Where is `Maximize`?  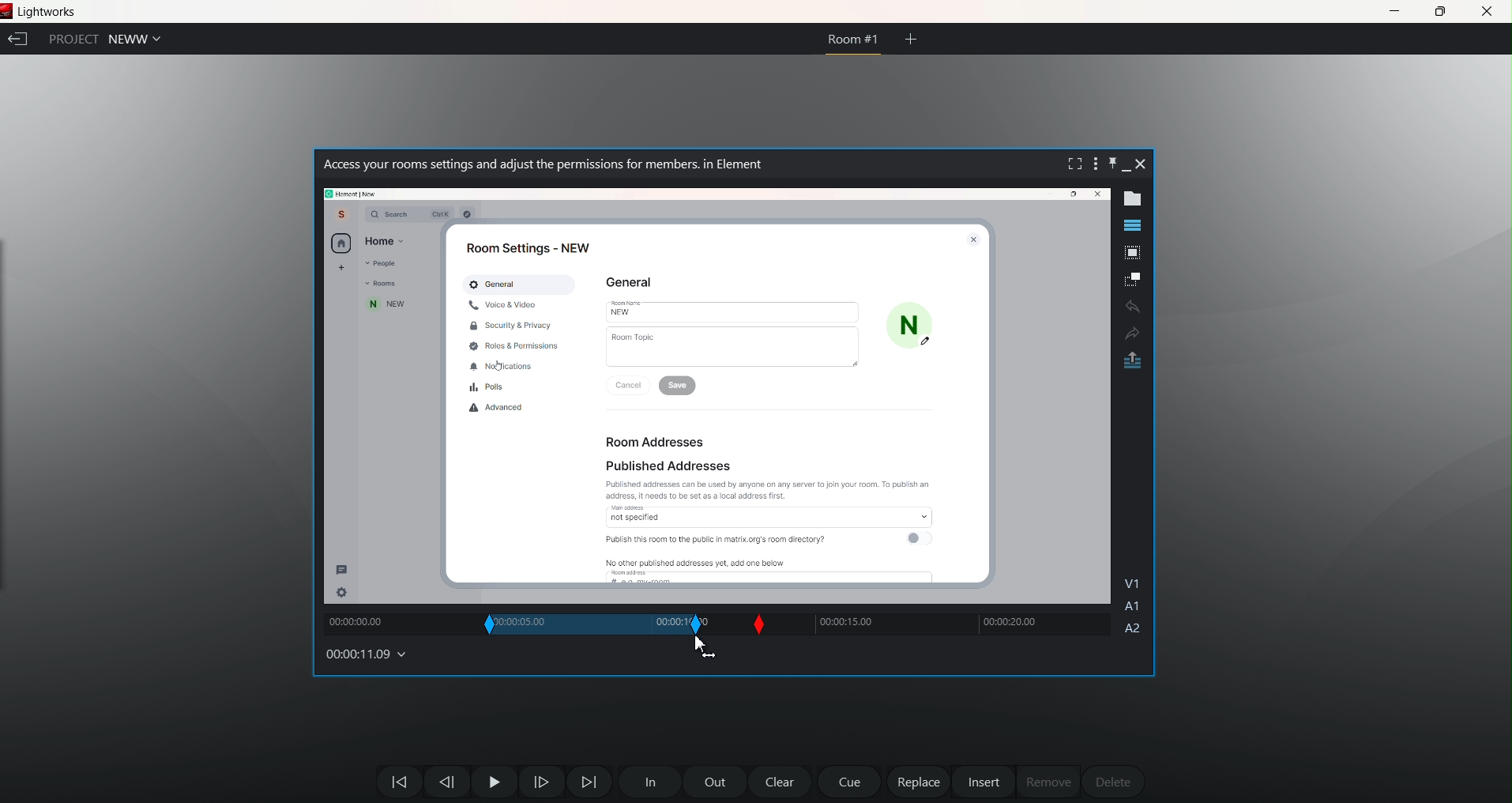 Maximize is located at coordinates (1070, 195).